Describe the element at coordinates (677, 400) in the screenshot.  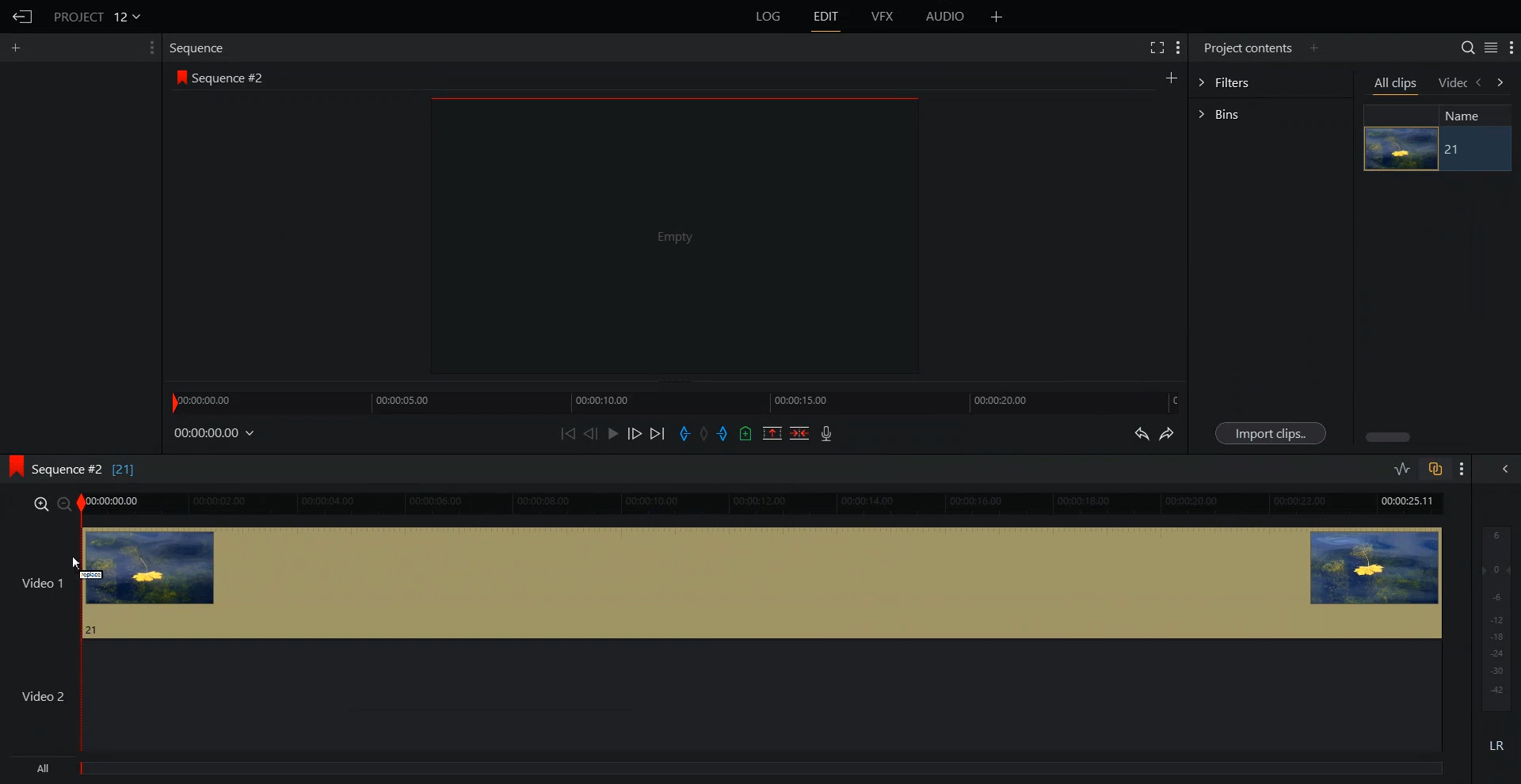
I see `Timeline` at that location.